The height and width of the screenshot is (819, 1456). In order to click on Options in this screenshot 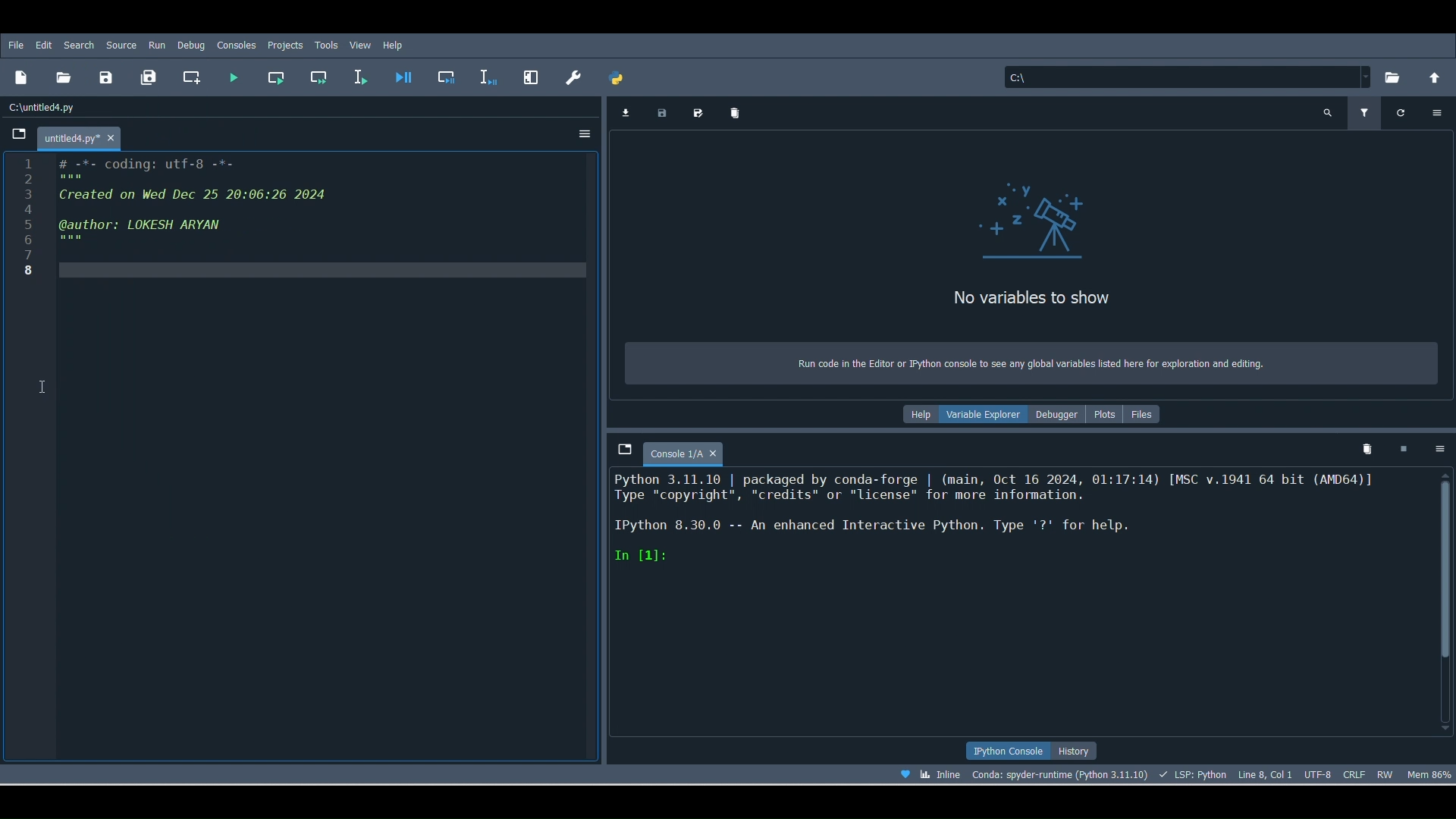, I will do `click(582, 133)`.